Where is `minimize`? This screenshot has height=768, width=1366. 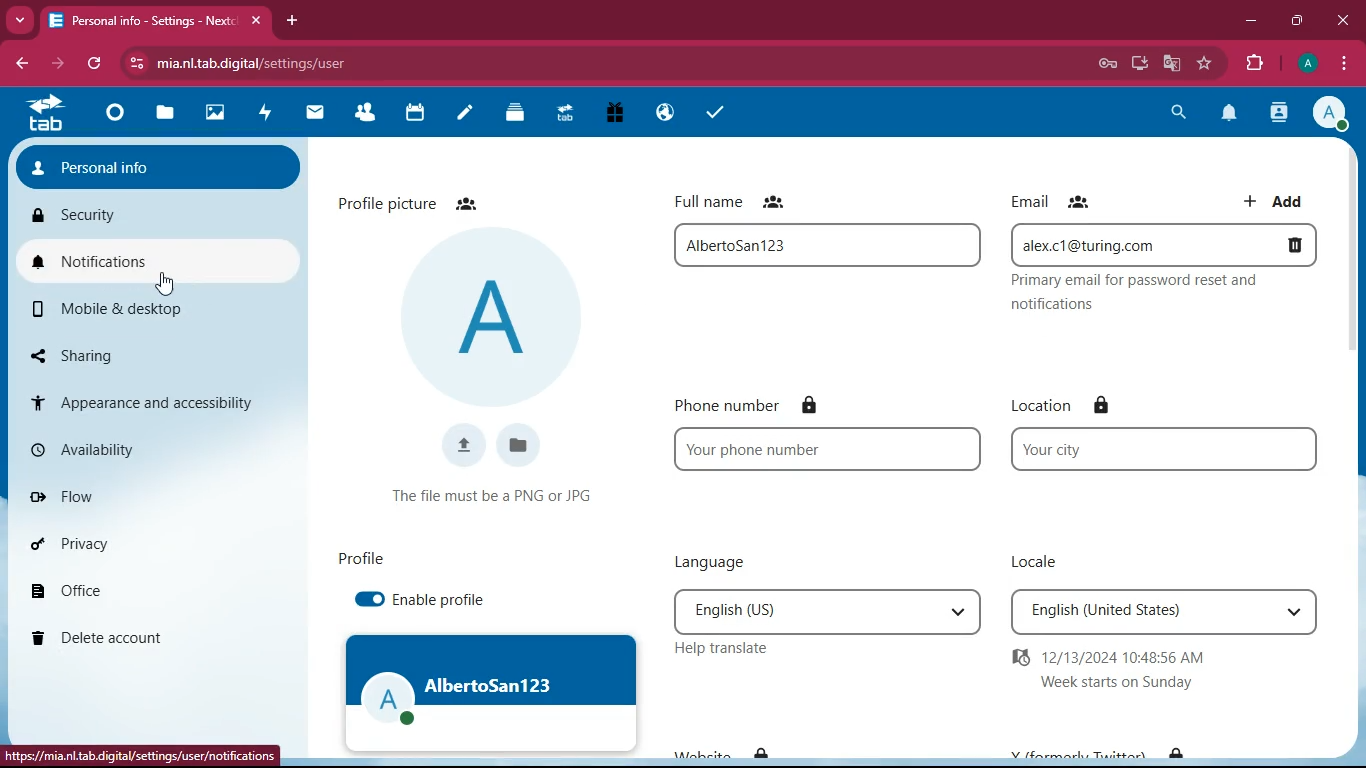
minimize is located at coordinates (1250, 22).